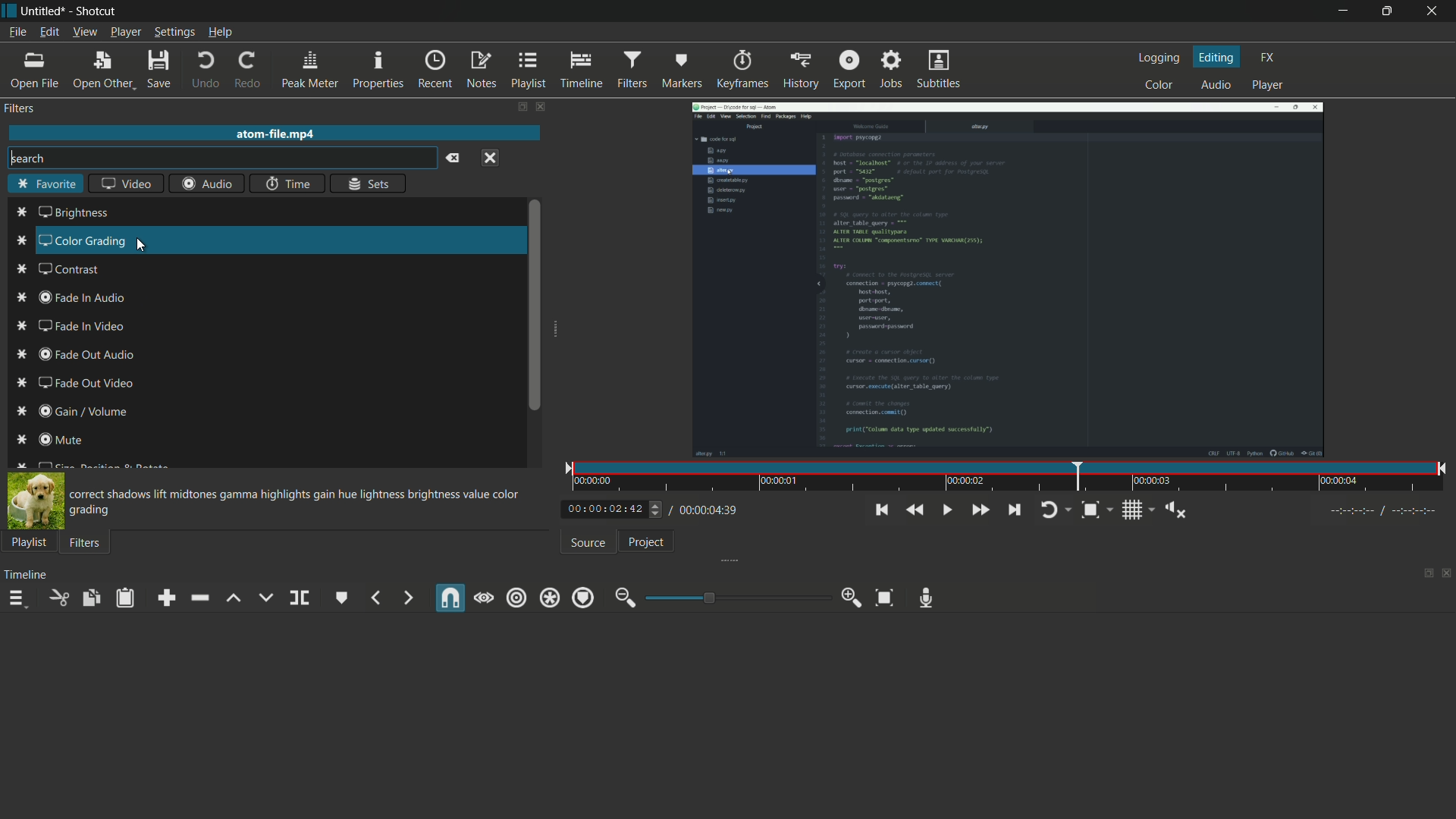 This screenshot has width=1456, height=819. What do you see at coordinates (492, 158) in the screenshot?
I see `close menu` at bounding box center [492, 158].